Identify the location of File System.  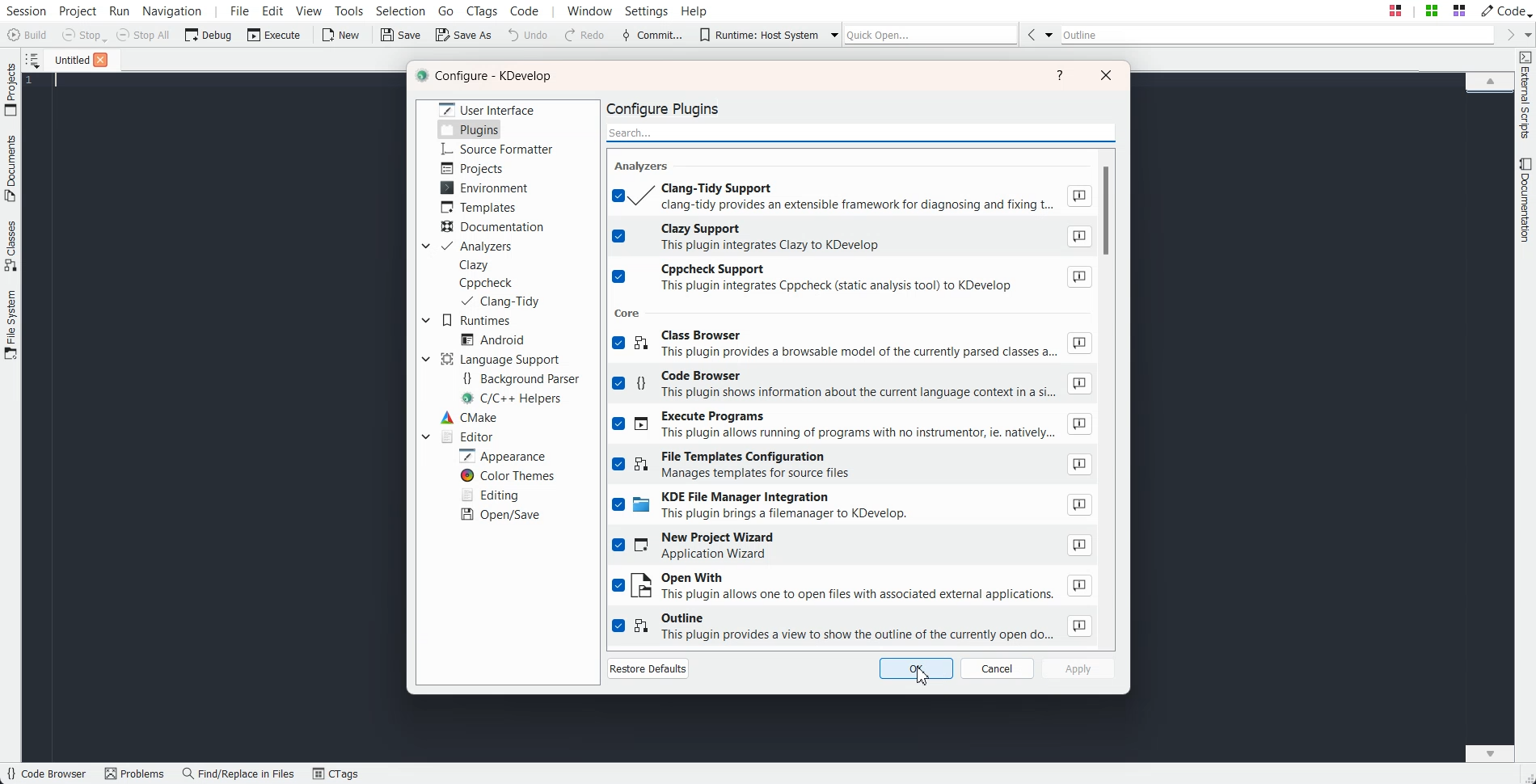
(11, 327).